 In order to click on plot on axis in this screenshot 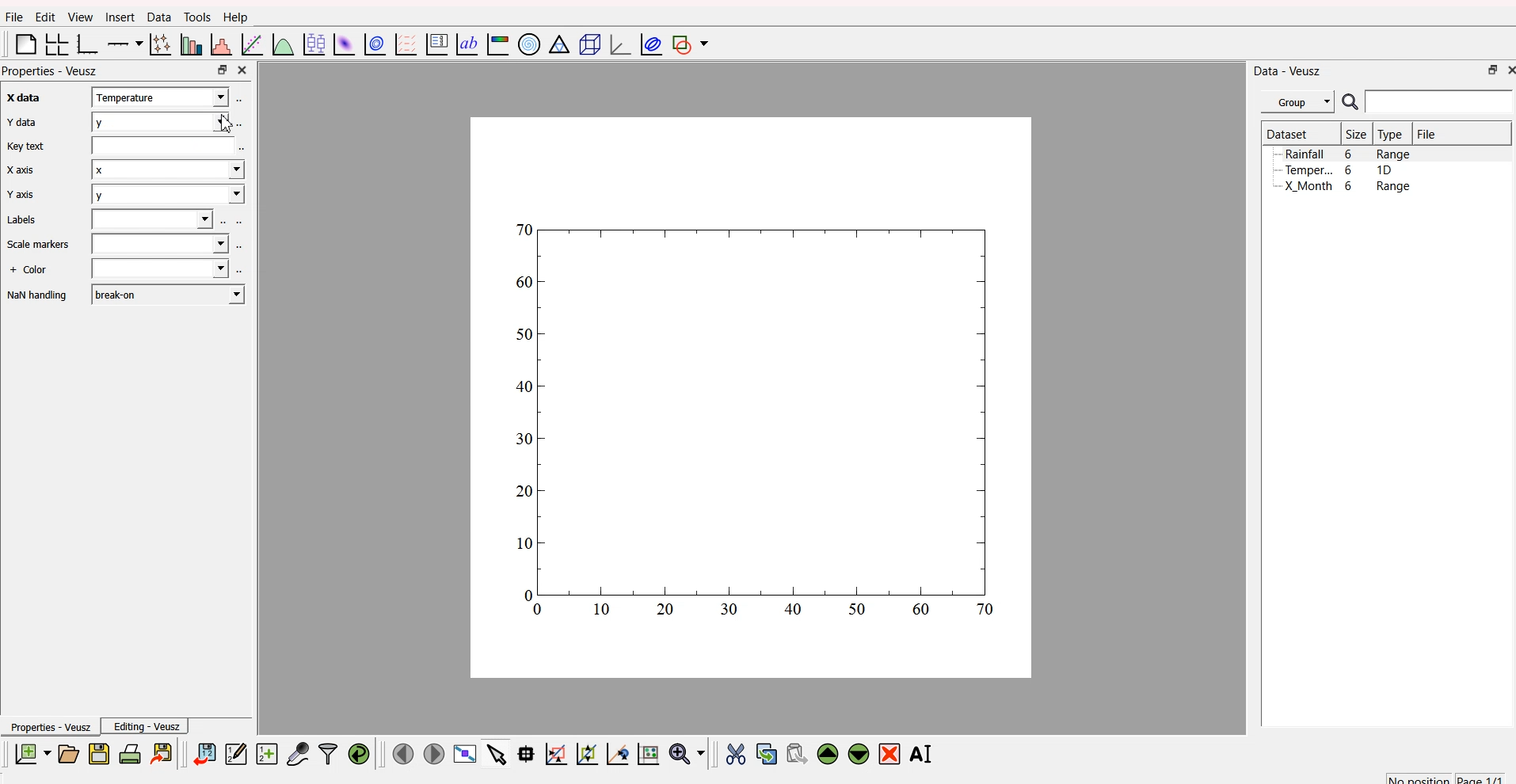, I will do `click(126, 43)`.